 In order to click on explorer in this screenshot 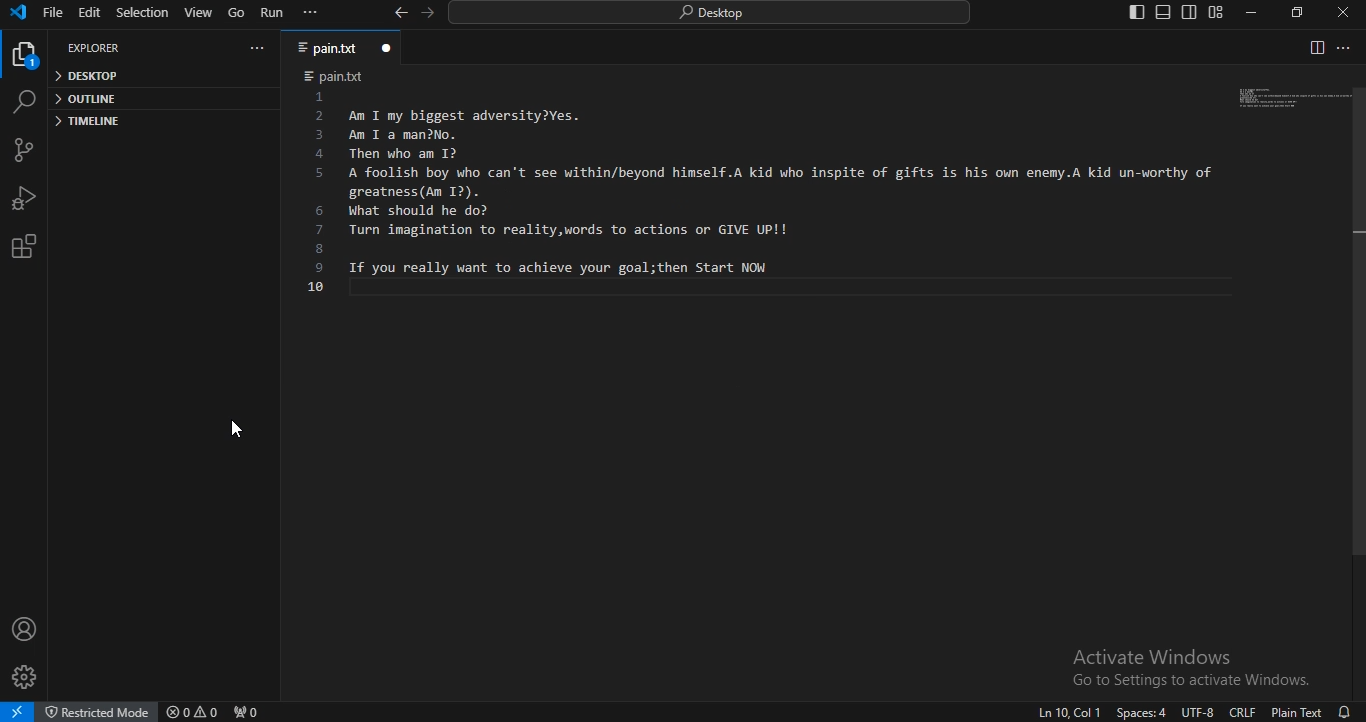, I will do `click(26, 58)`.